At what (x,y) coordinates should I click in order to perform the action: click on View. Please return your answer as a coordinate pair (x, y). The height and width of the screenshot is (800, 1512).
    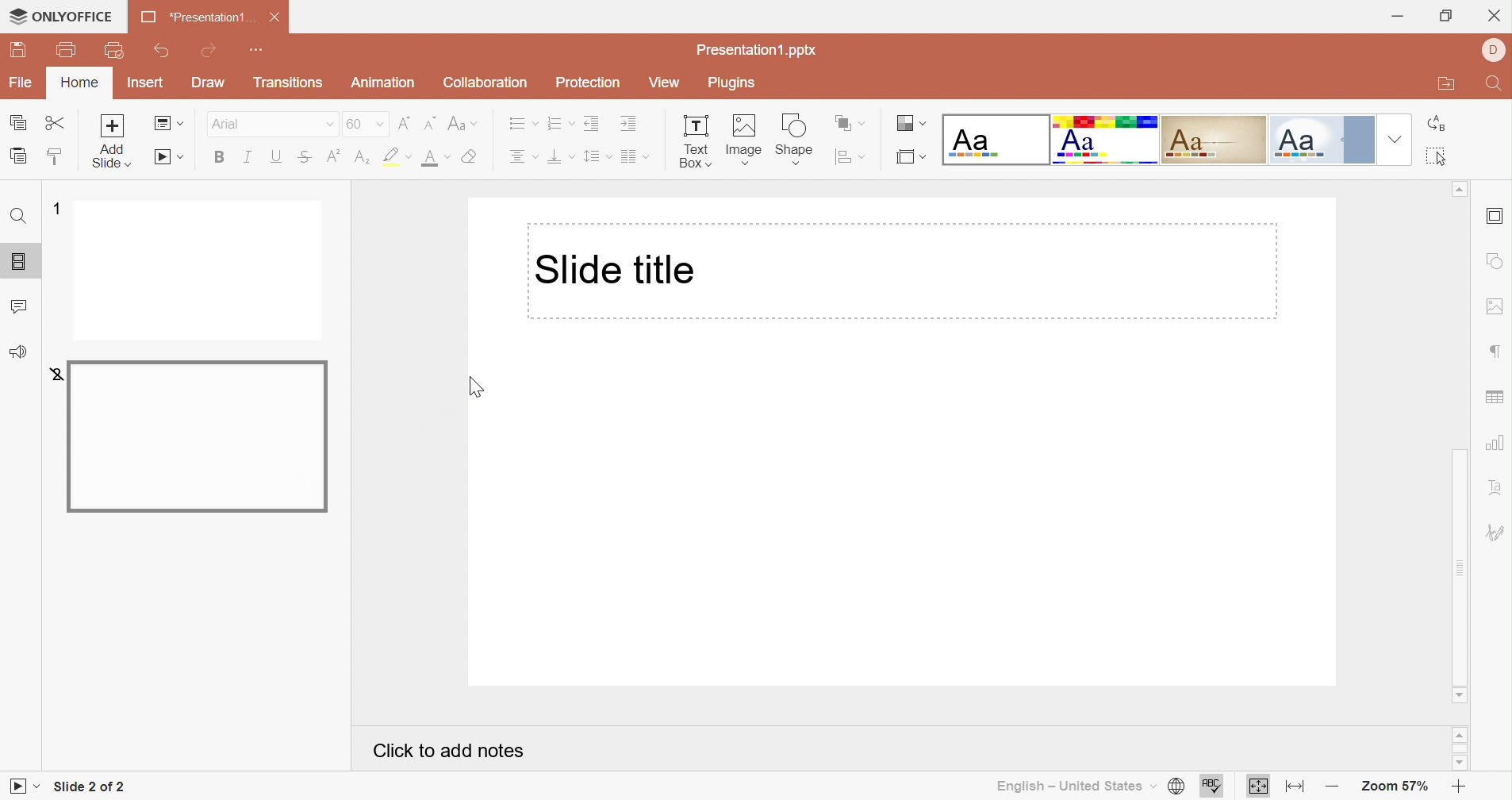
    Looking at the image, I should click on (663, 83).